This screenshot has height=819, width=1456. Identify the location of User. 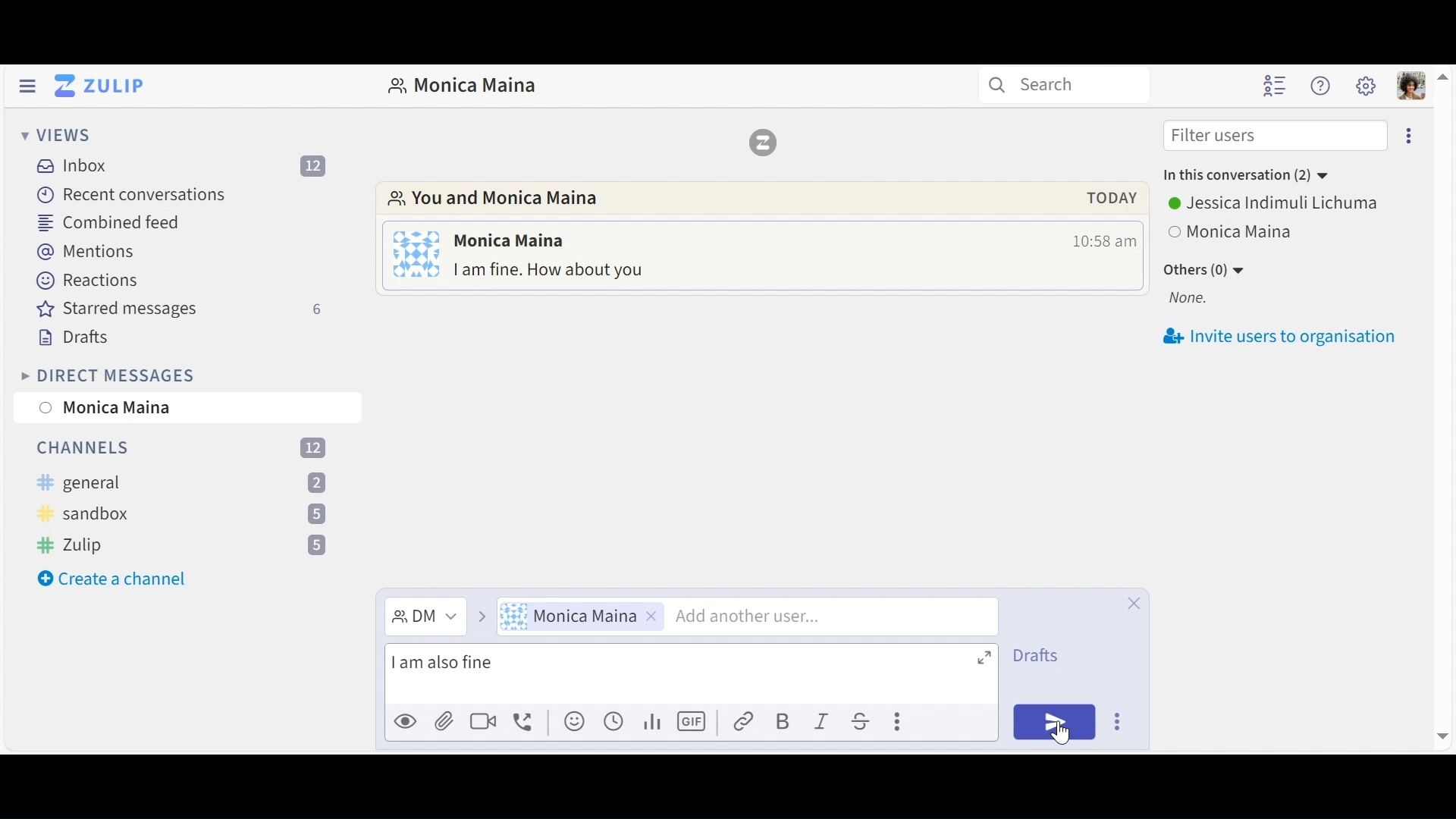
(190, 407).